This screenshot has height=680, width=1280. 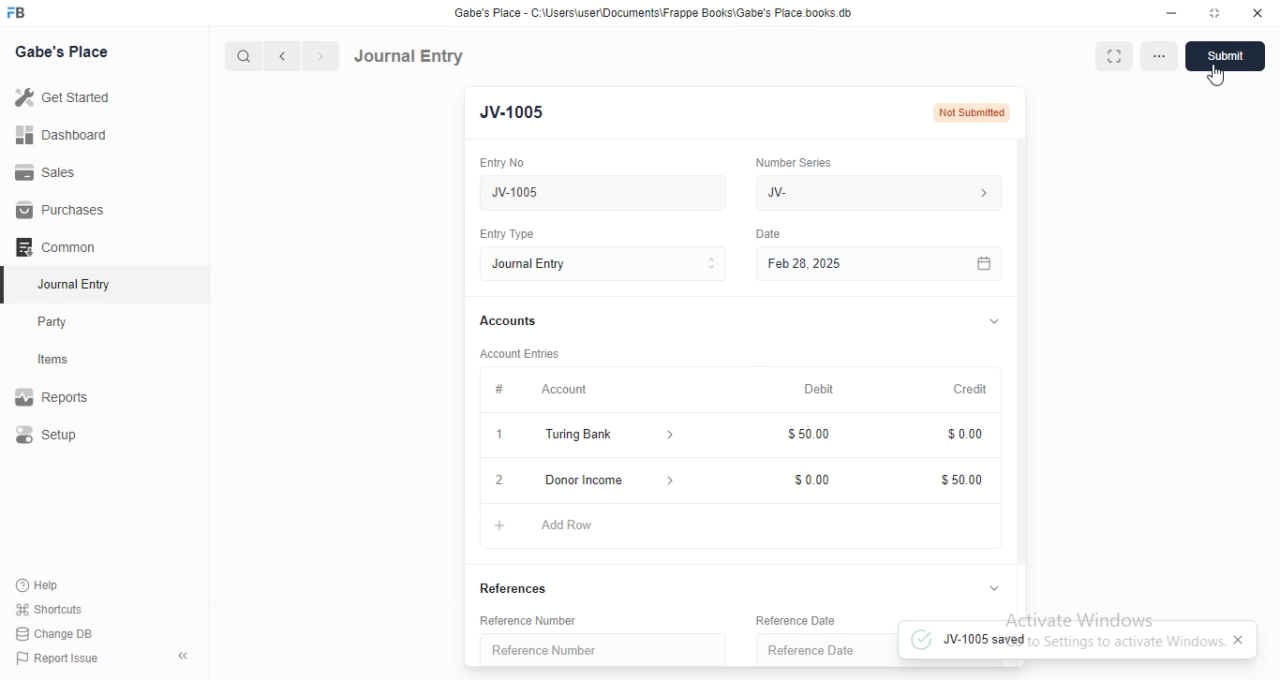 What do you see at coordinates (816, 432) in the screenshot?
I see `$50.00` at bounding box center [816, 432].